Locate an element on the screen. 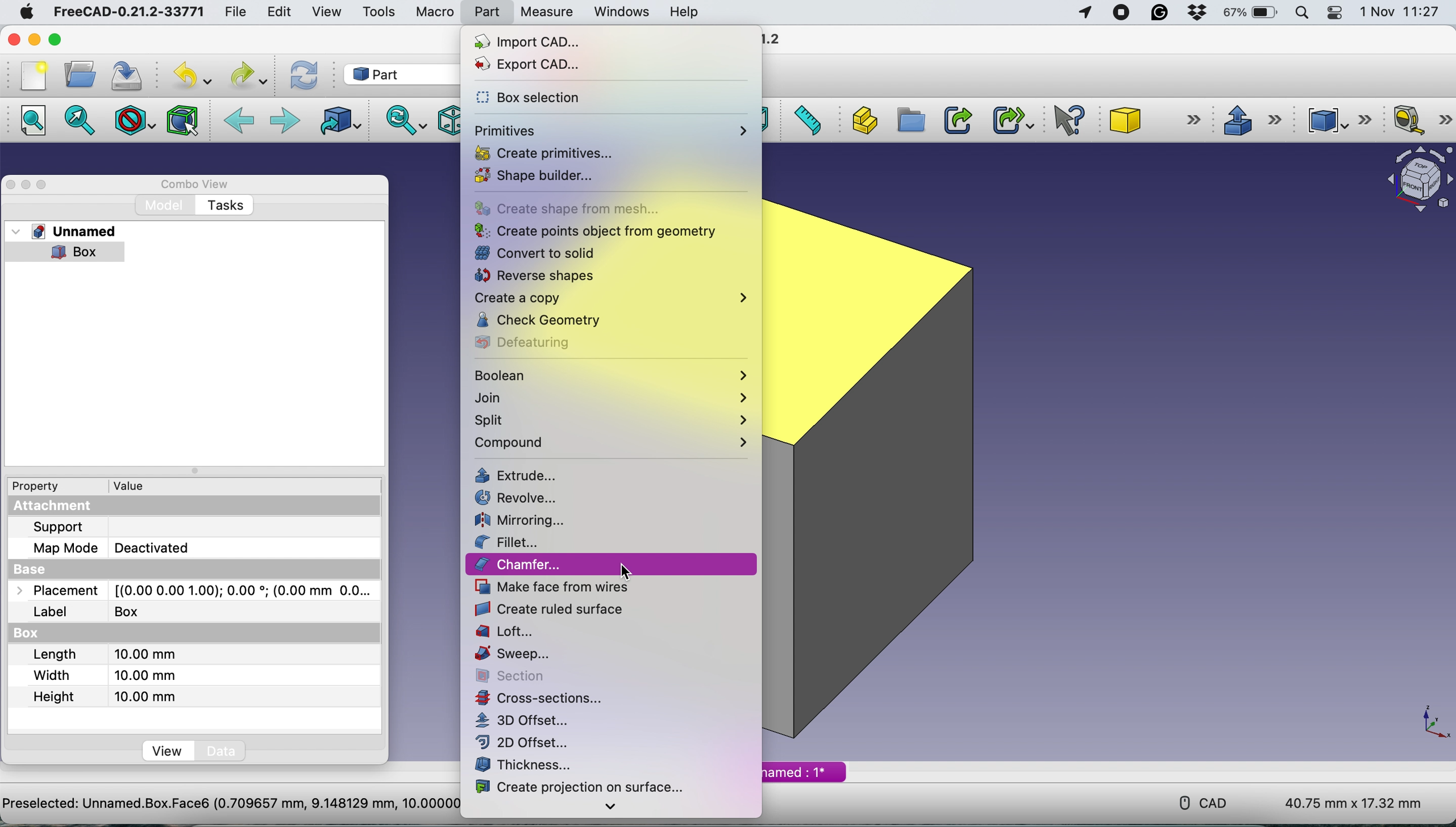 The height and width of the screenshot is (827, 1456). make face from wires is located at coordinates (562, 588).